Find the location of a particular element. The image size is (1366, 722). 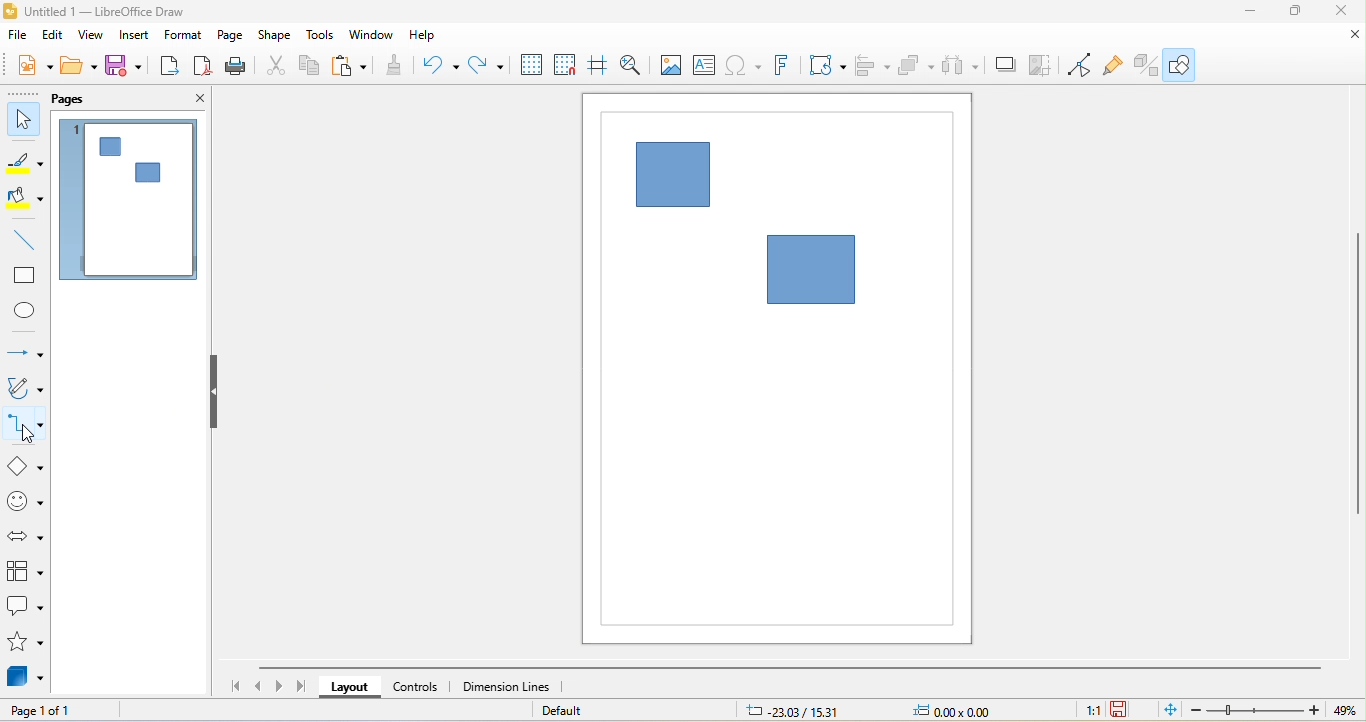

scroll to first page is located at coordinates (231, 687).